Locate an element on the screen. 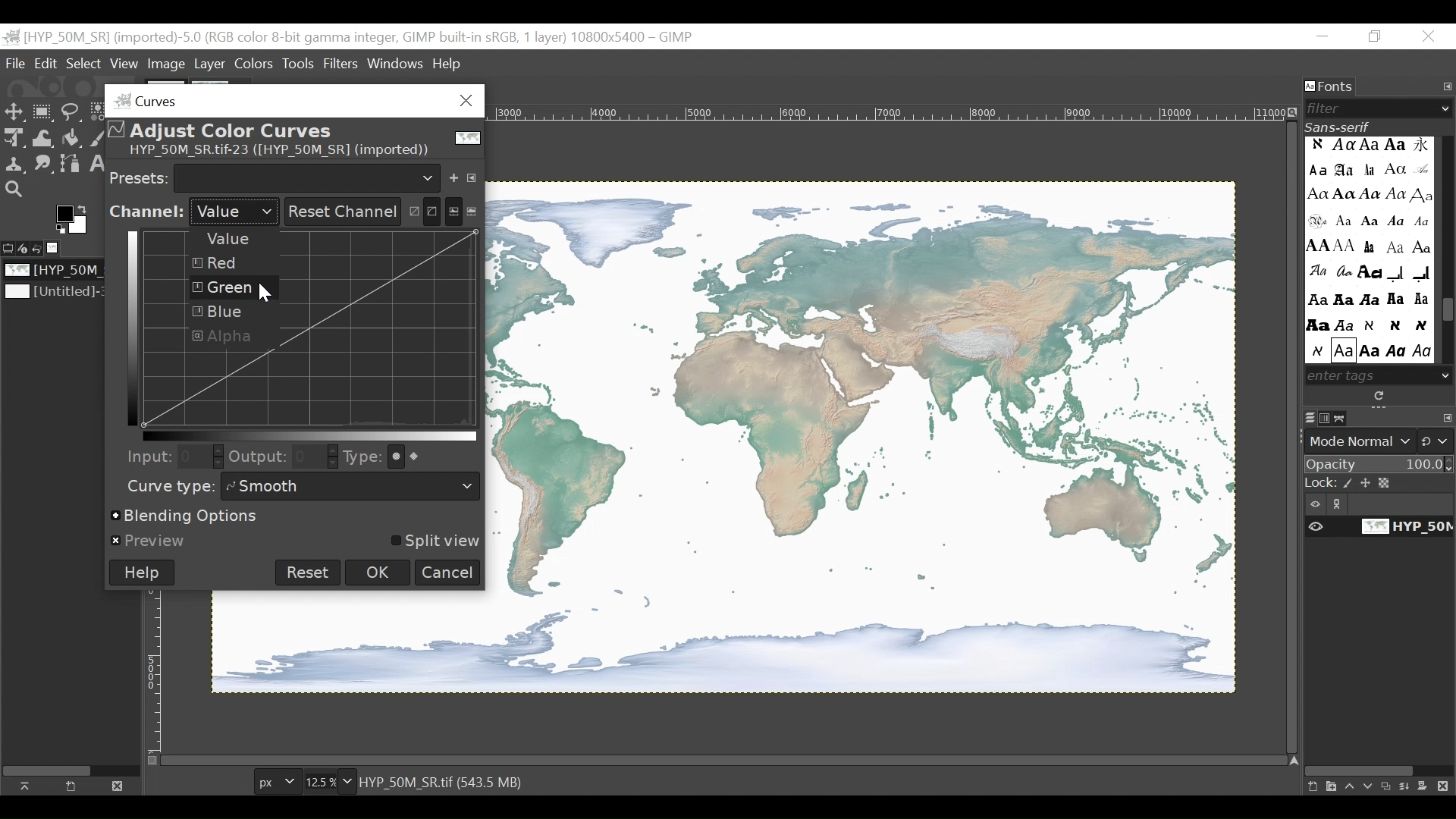 Image resolution: width=1456 pixels, height=819 pixels. Pick a preset for the list is located at coordinates (308, 177).